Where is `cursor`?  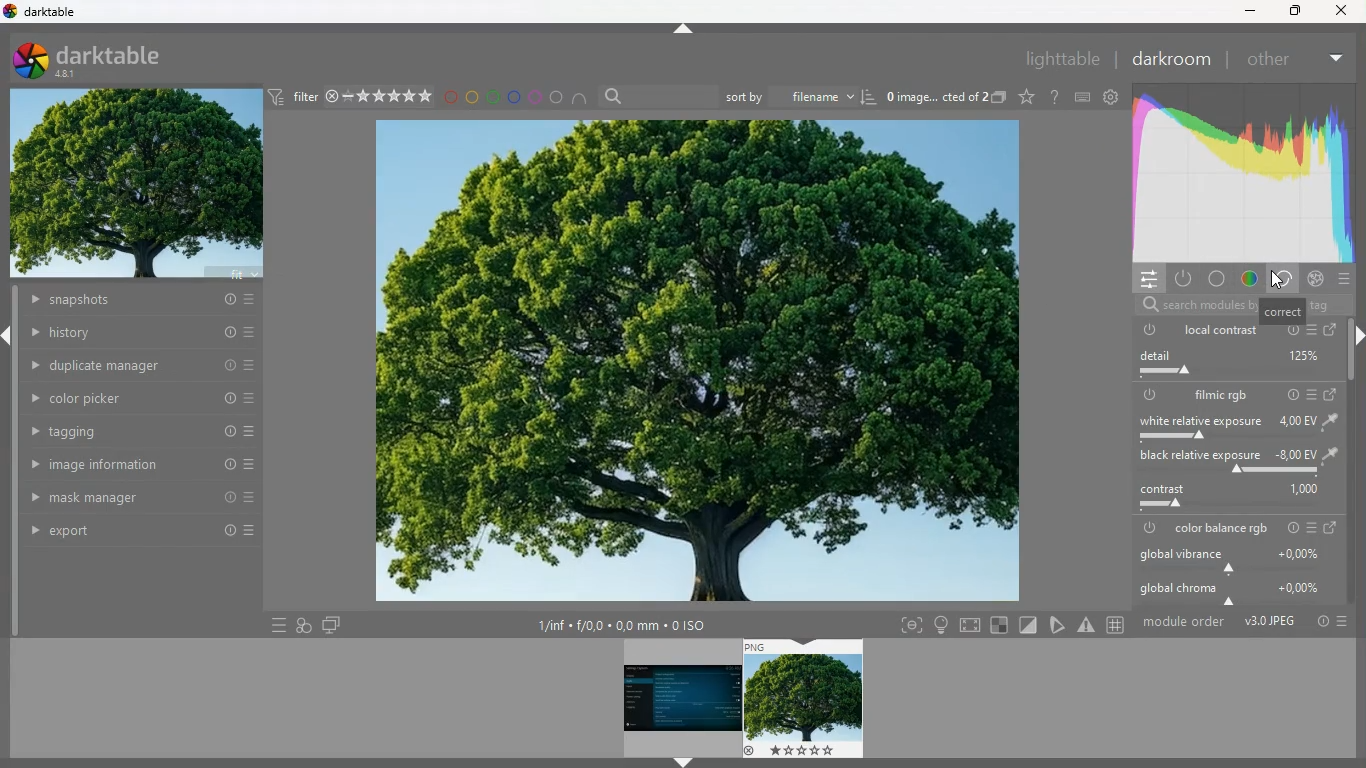
cursor is located at coordinates (1276, 281).